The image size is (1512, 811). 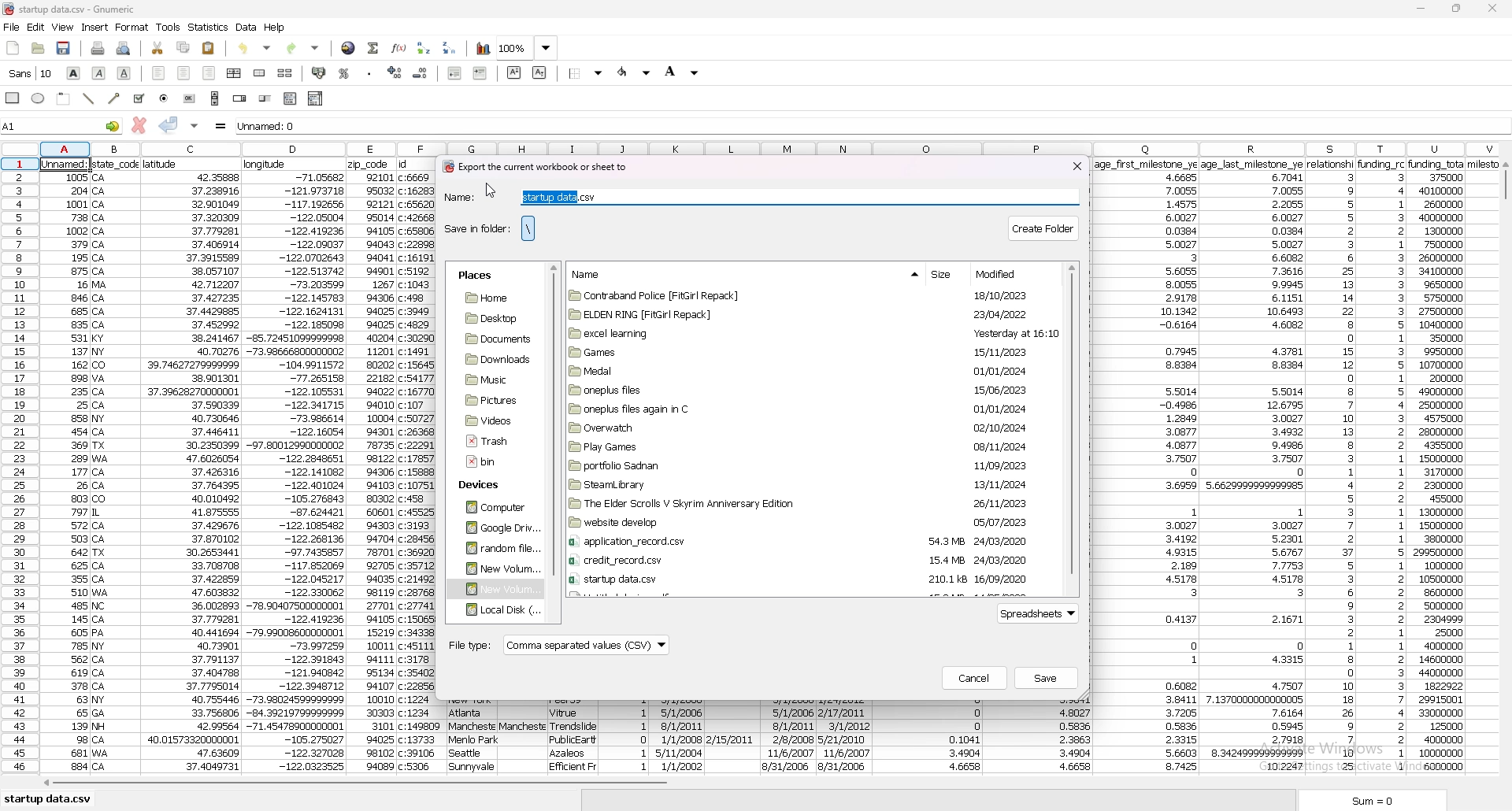 I want to click on modified, so click(x=1002, y=274).